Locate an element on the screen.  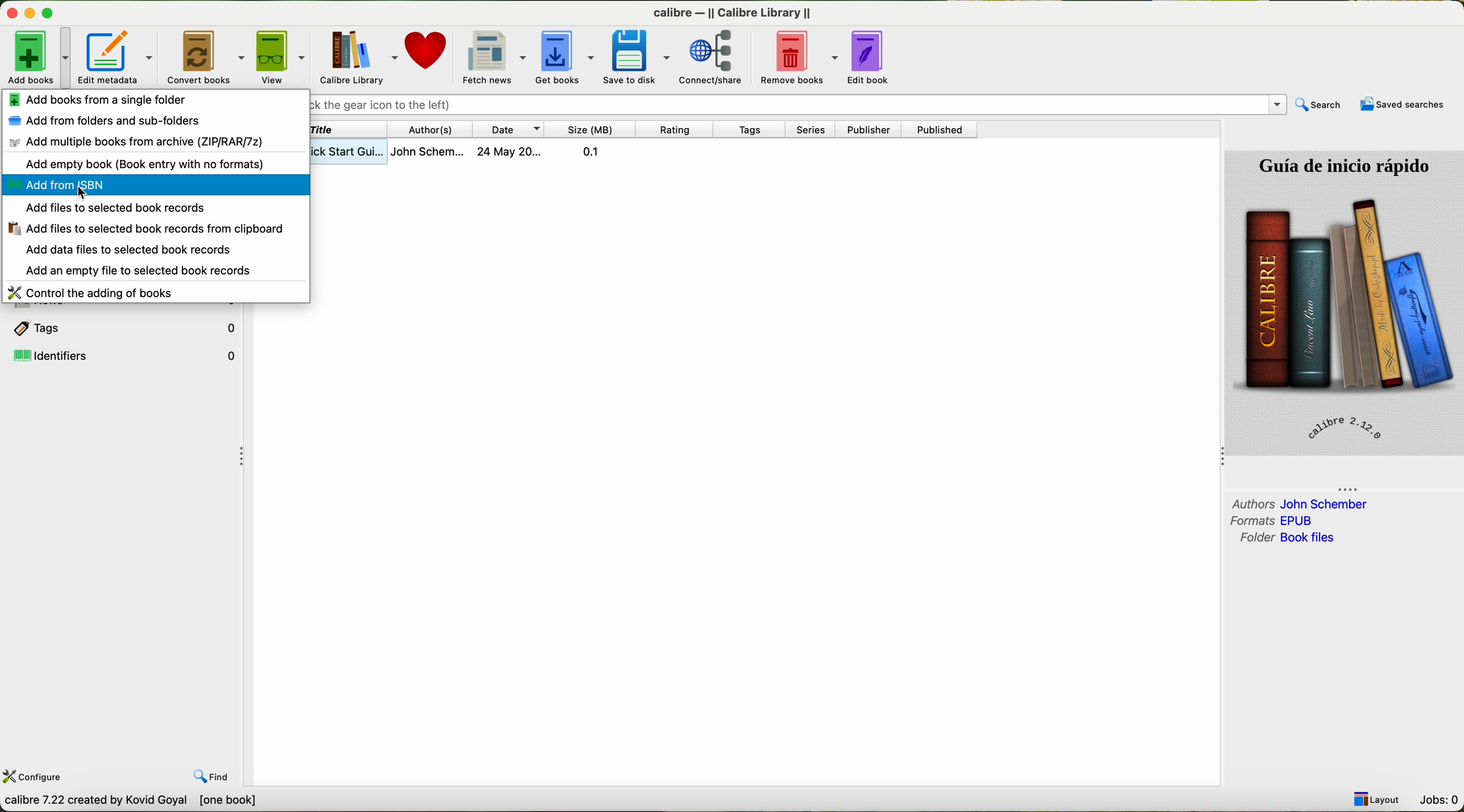
date is located at coordinates (510, 129).